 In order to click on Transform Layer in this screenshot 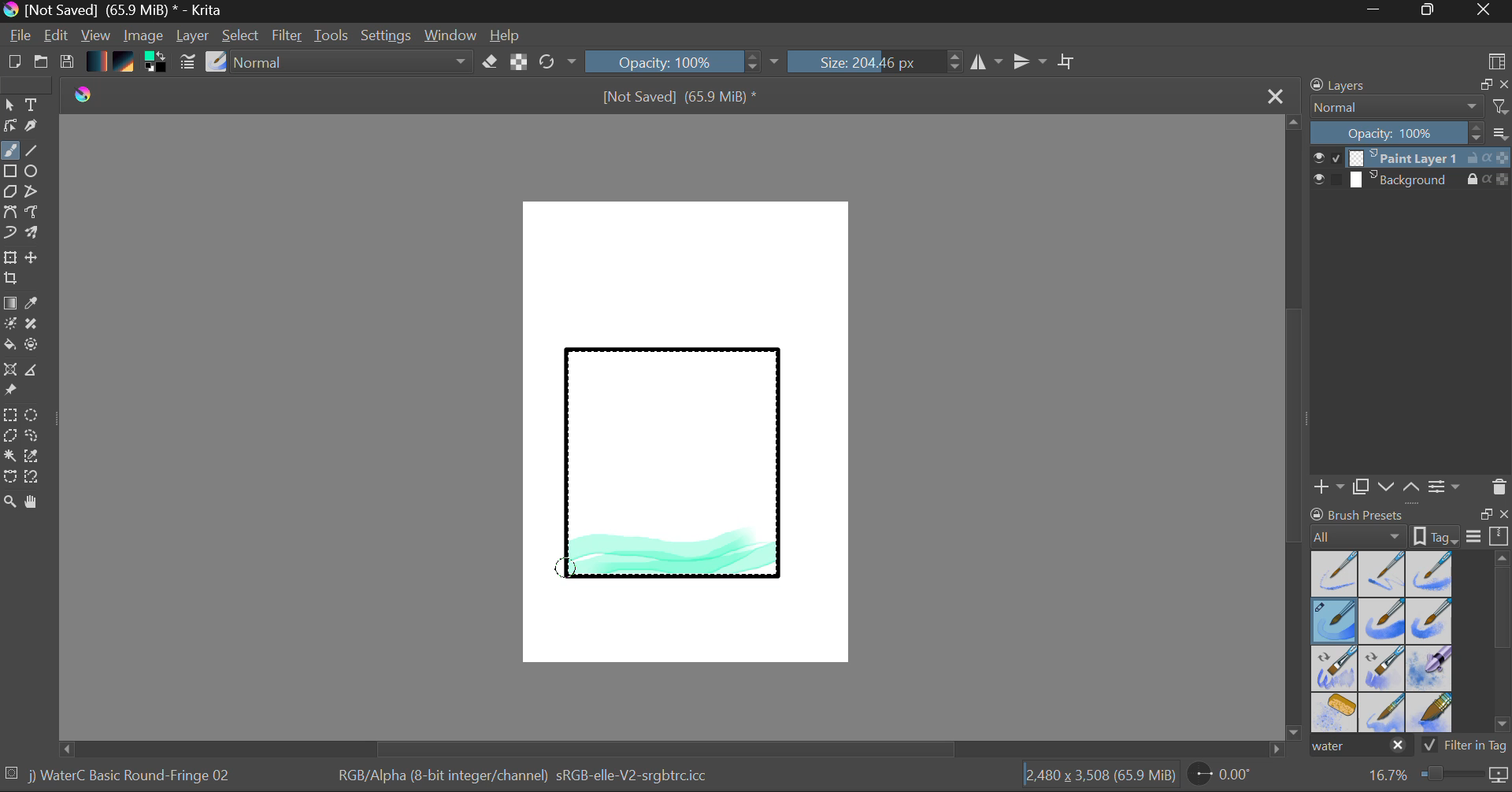, I will do `click(9, 256)`.